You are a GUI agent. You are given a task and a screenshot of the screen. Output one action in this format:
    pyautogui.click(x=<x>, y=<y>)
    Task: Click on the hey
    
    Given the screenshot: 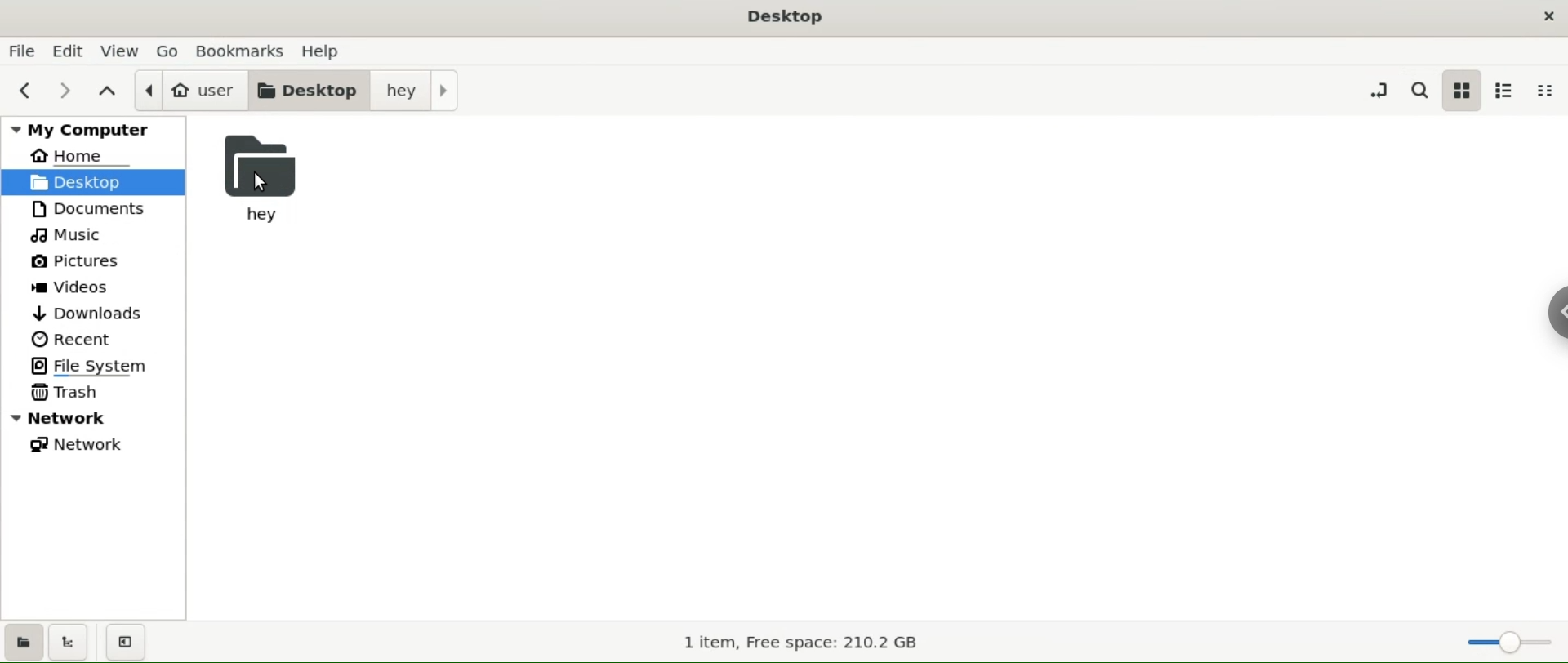 What is the action you would take?
    pyautogui.click(x=265, y=181)
    